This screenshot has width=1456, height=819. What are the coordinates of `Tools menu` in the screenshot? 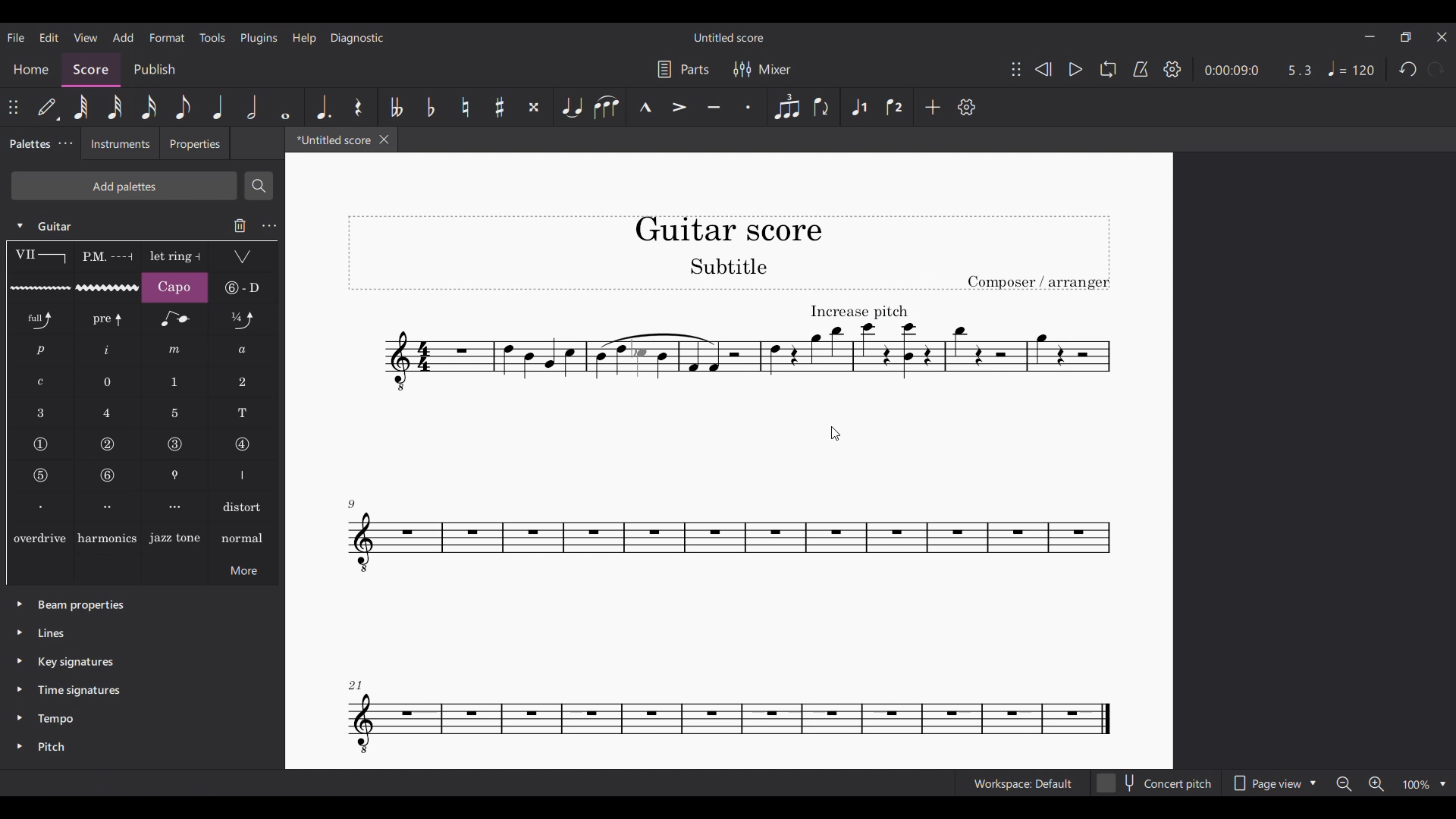 It's located at (212, 37).